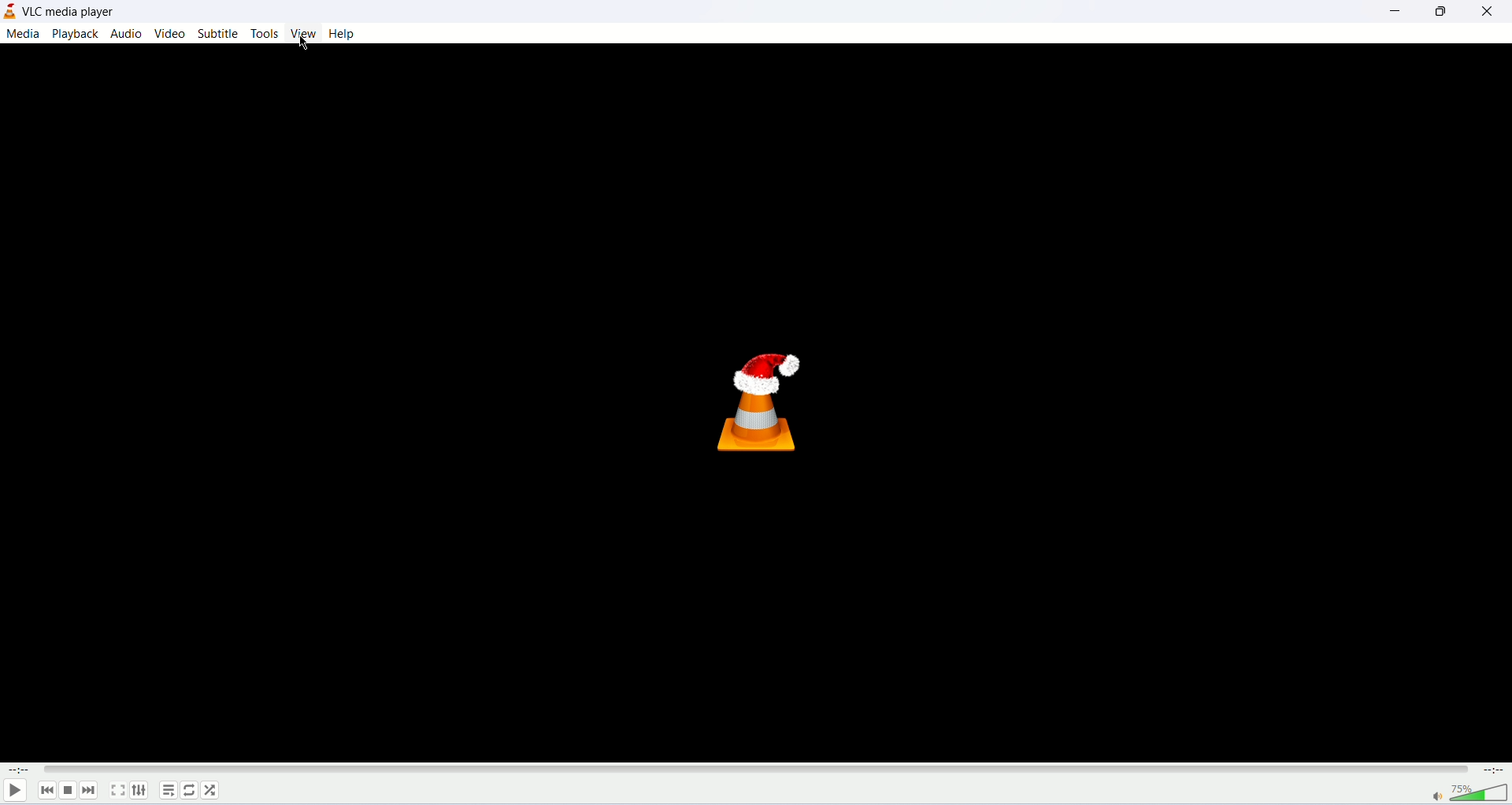  Describe the element at coordinates (143, 791) in the screenshot. I see `extended settings` at that location.